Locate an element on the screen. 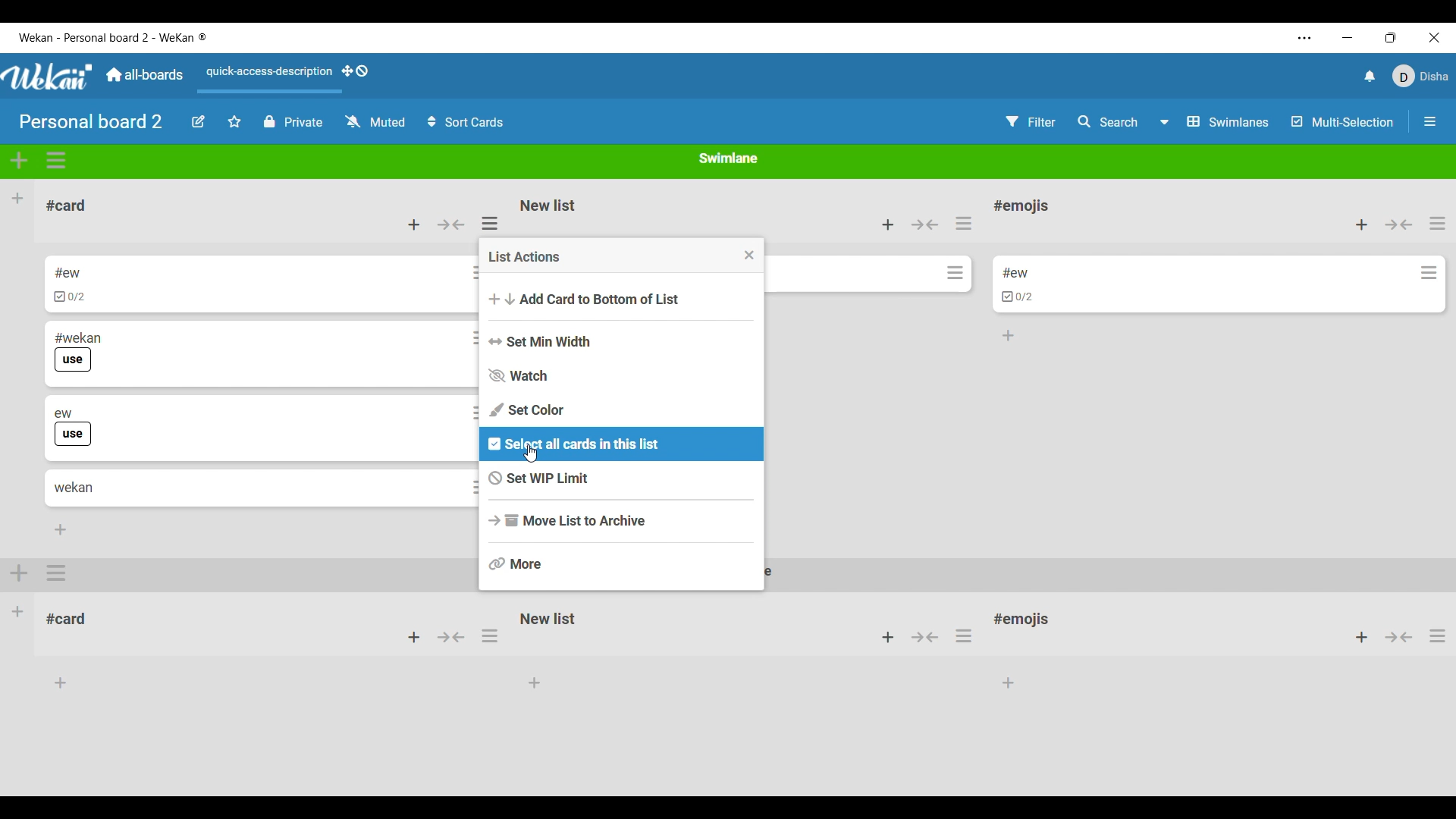 The width and height of the screenshot is (1456, 819). Indicates card has checklists is located at coordinates (1019, 296).